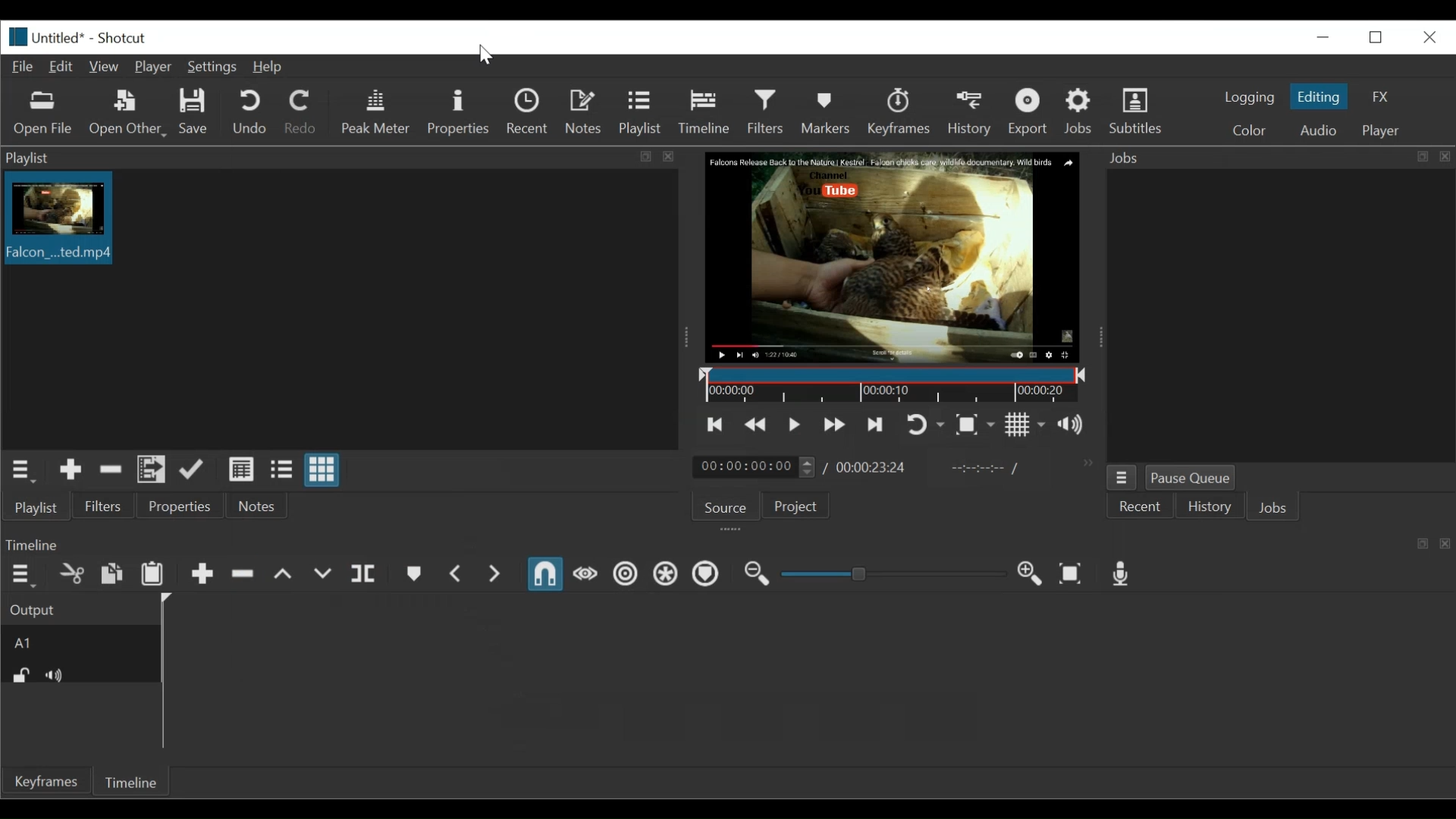 The width and height of the screenshot is (1456, 819). I want to click on Lift, so click(285, 575).